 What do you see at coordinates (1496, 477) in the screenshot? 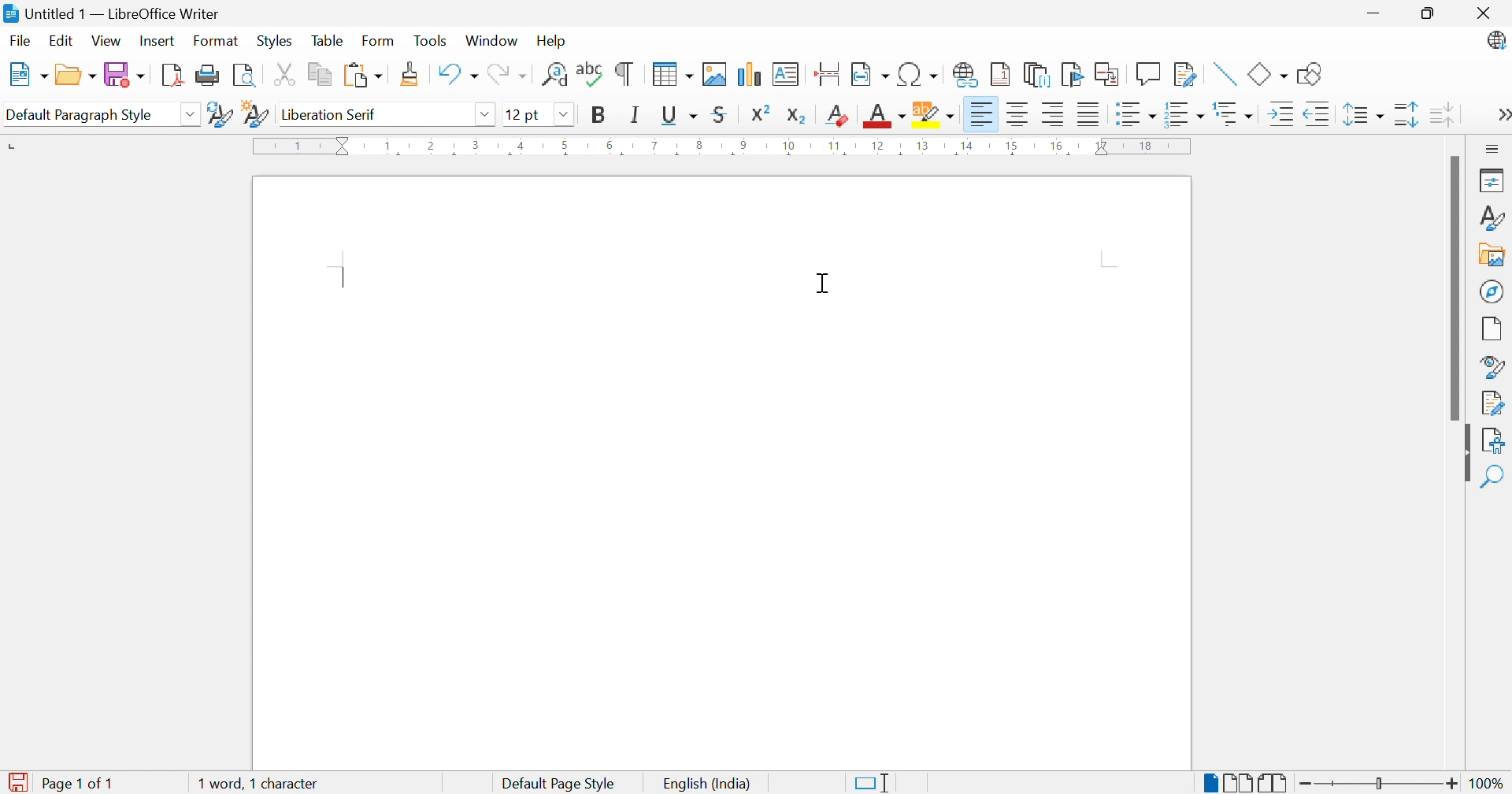
I see `Find` at bounding box center [1496, 477].